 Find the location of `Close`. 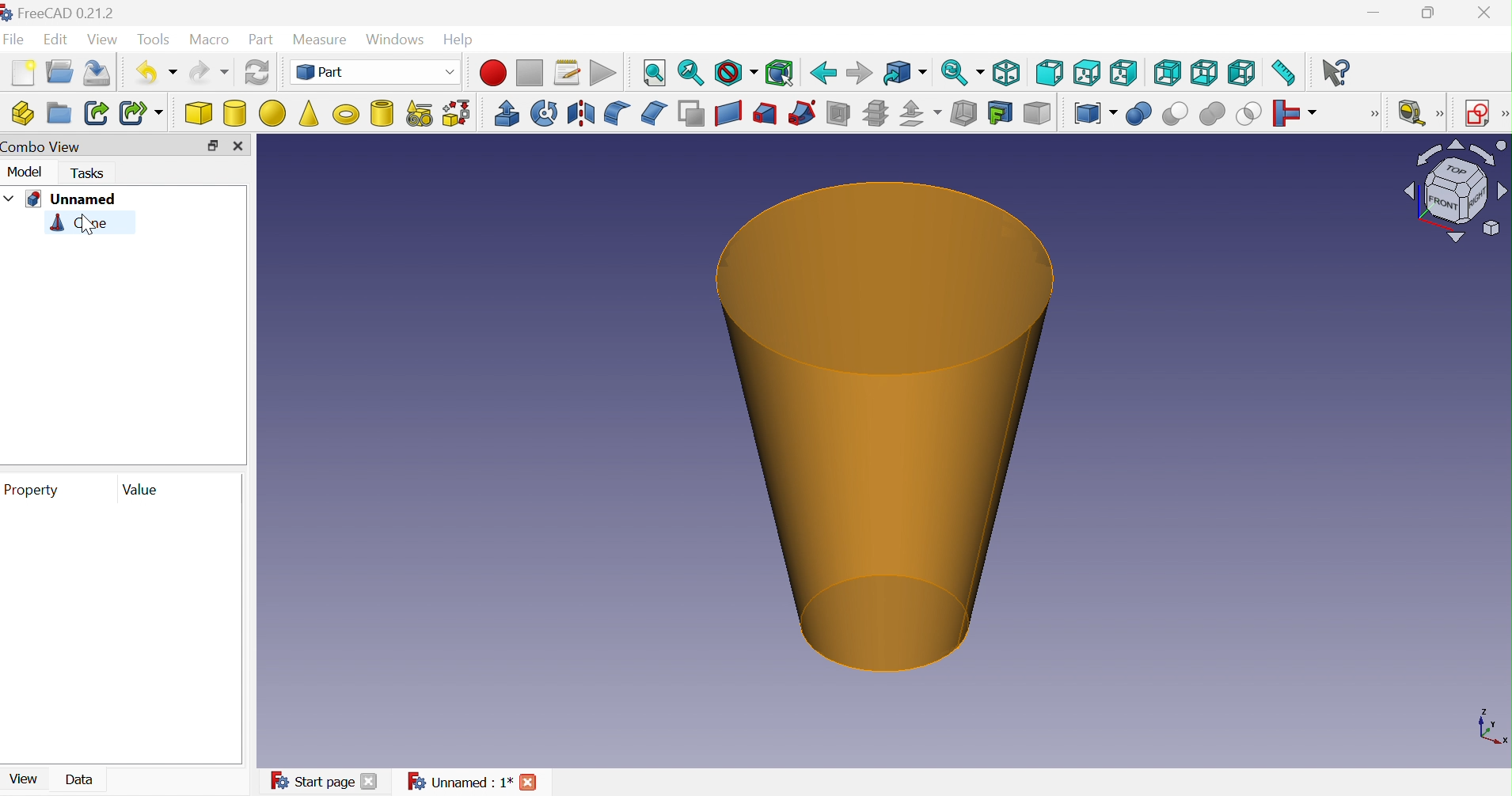

Close is located at coordinates (1486, 11).